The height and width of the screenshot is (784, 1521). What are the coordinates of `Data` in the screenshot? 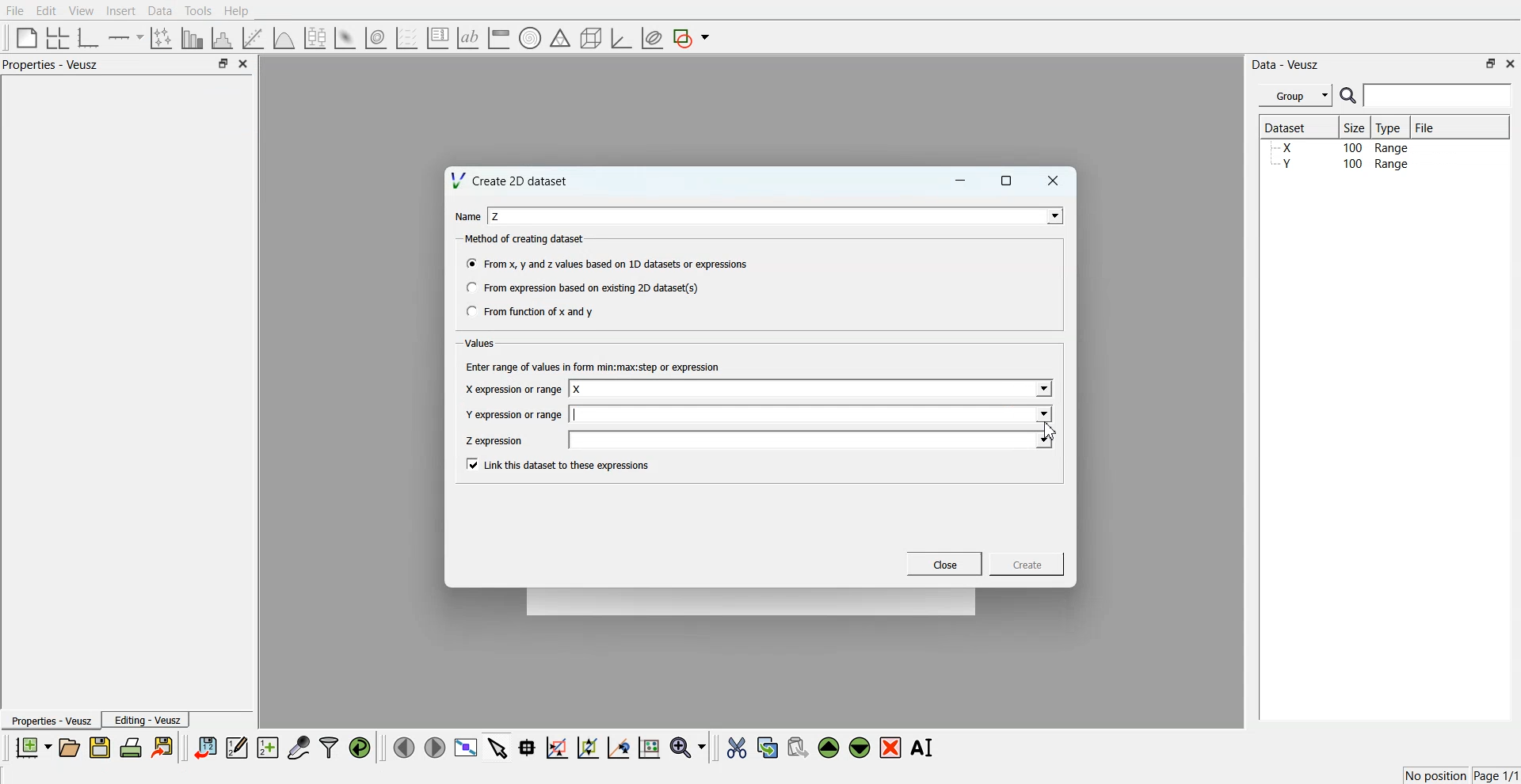 It's located at (162, 11).